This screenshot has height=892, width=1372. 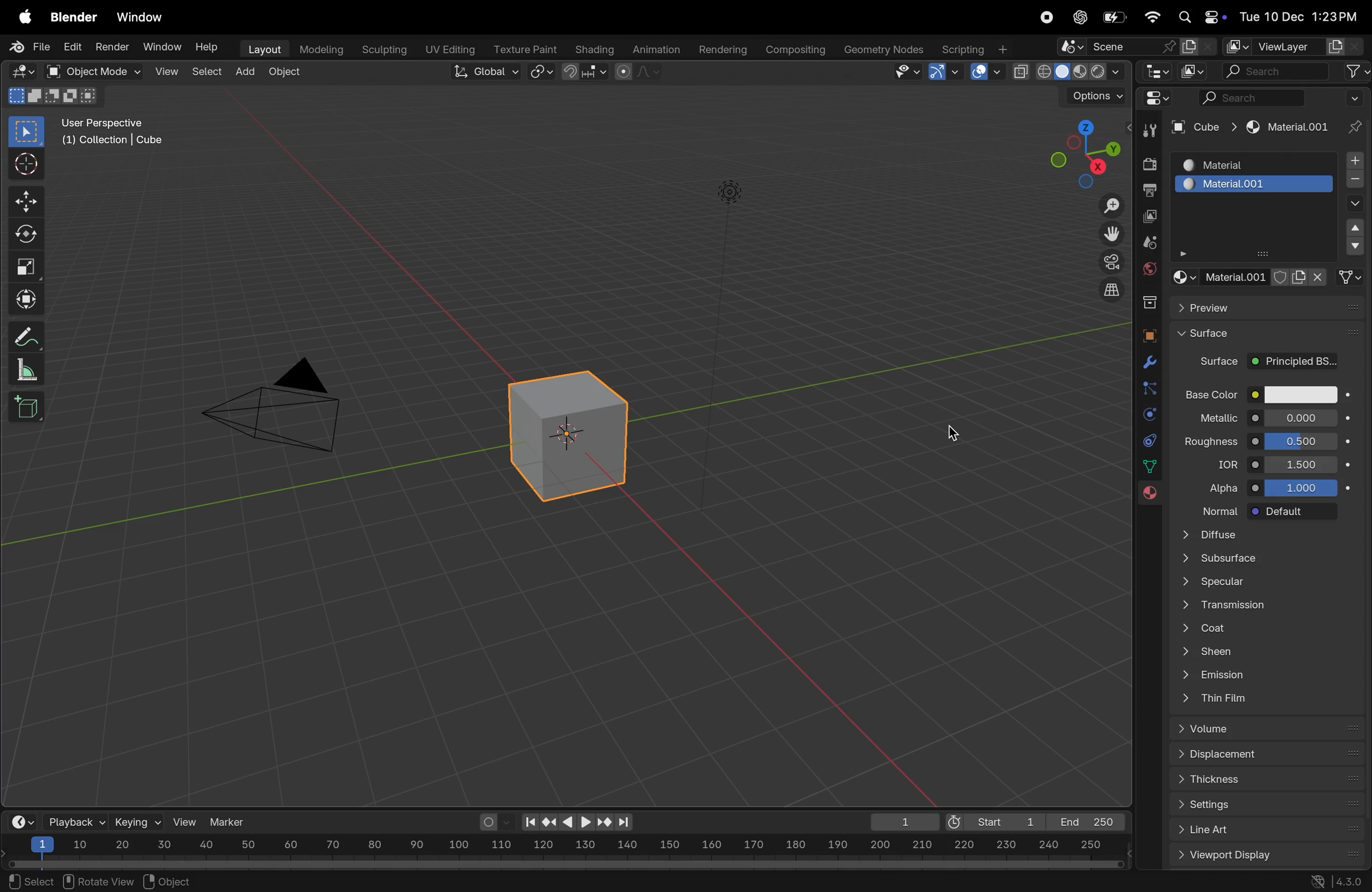 What do you see at coordinates (1084, 822) in the screenshot?
I see `end 250` at bounding box center [1084, 822].